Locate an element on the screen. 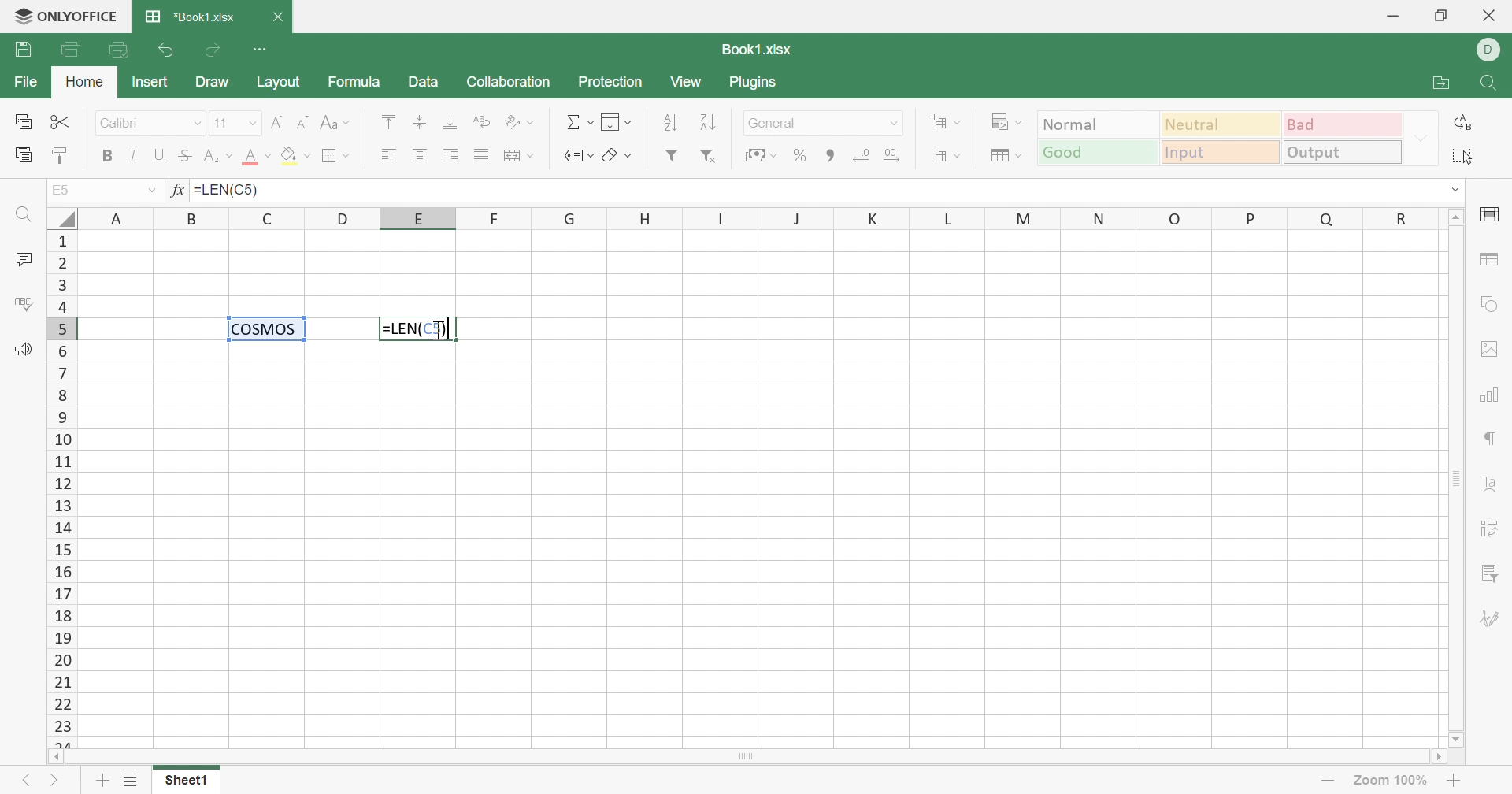 Image resolution: width=1512 pixels, height=794 pixels. Strikethrough is located at coordinates (187, 157).